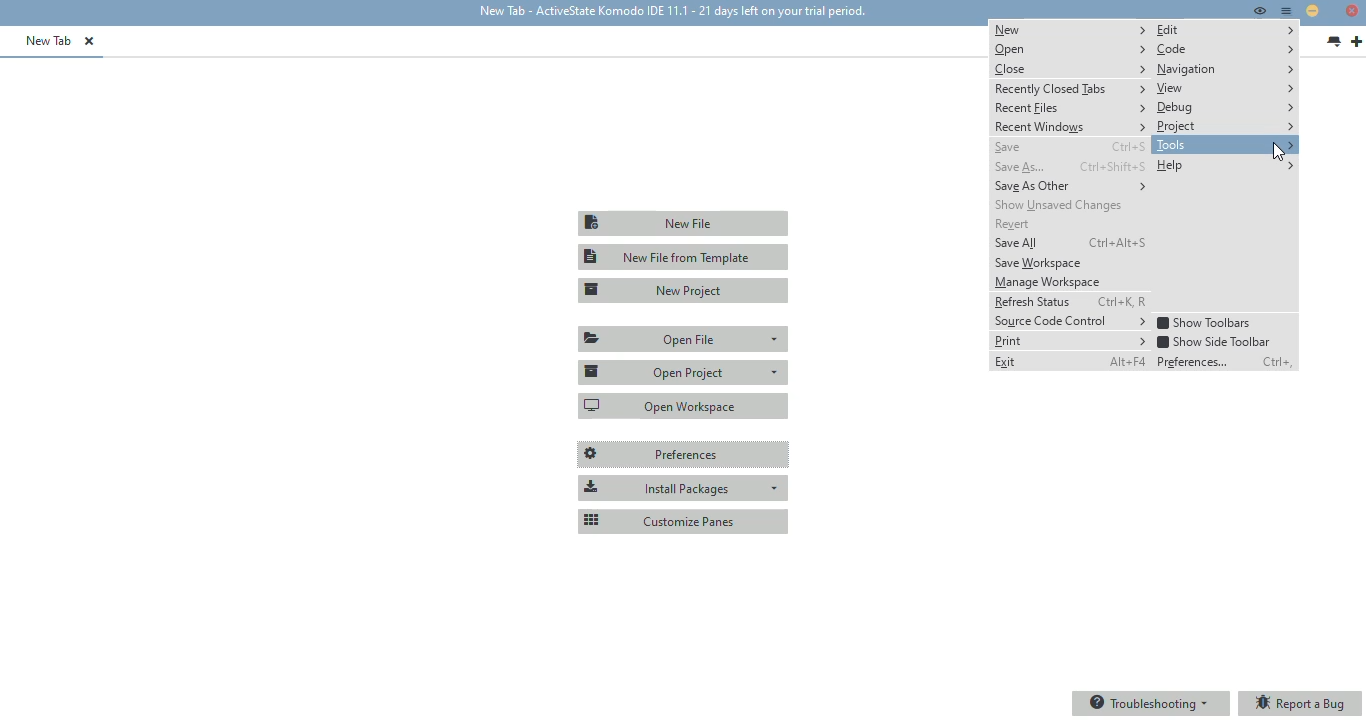  Describe the element at coordinates (670, 12) in the screenshot. I see `new tab - ActiveState Komodo IDE 11.1-21 days left on your trial period.` at that location.